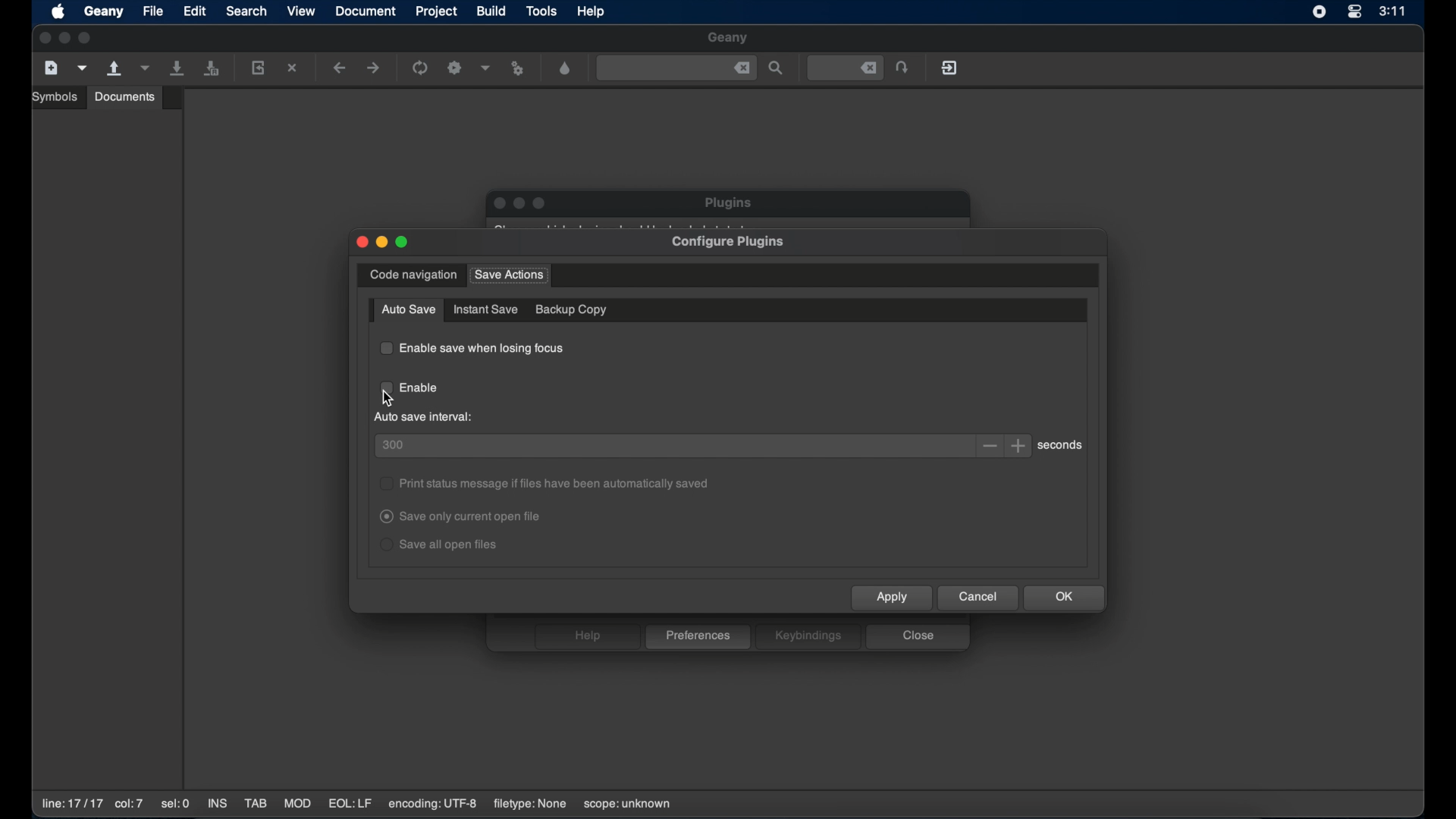 The width and height of the screenshot is (1456, 819). What do you see at coordinates (374, 68) in the screenshot?
I see `navigate forward a location` at bounding box center [374, 68].